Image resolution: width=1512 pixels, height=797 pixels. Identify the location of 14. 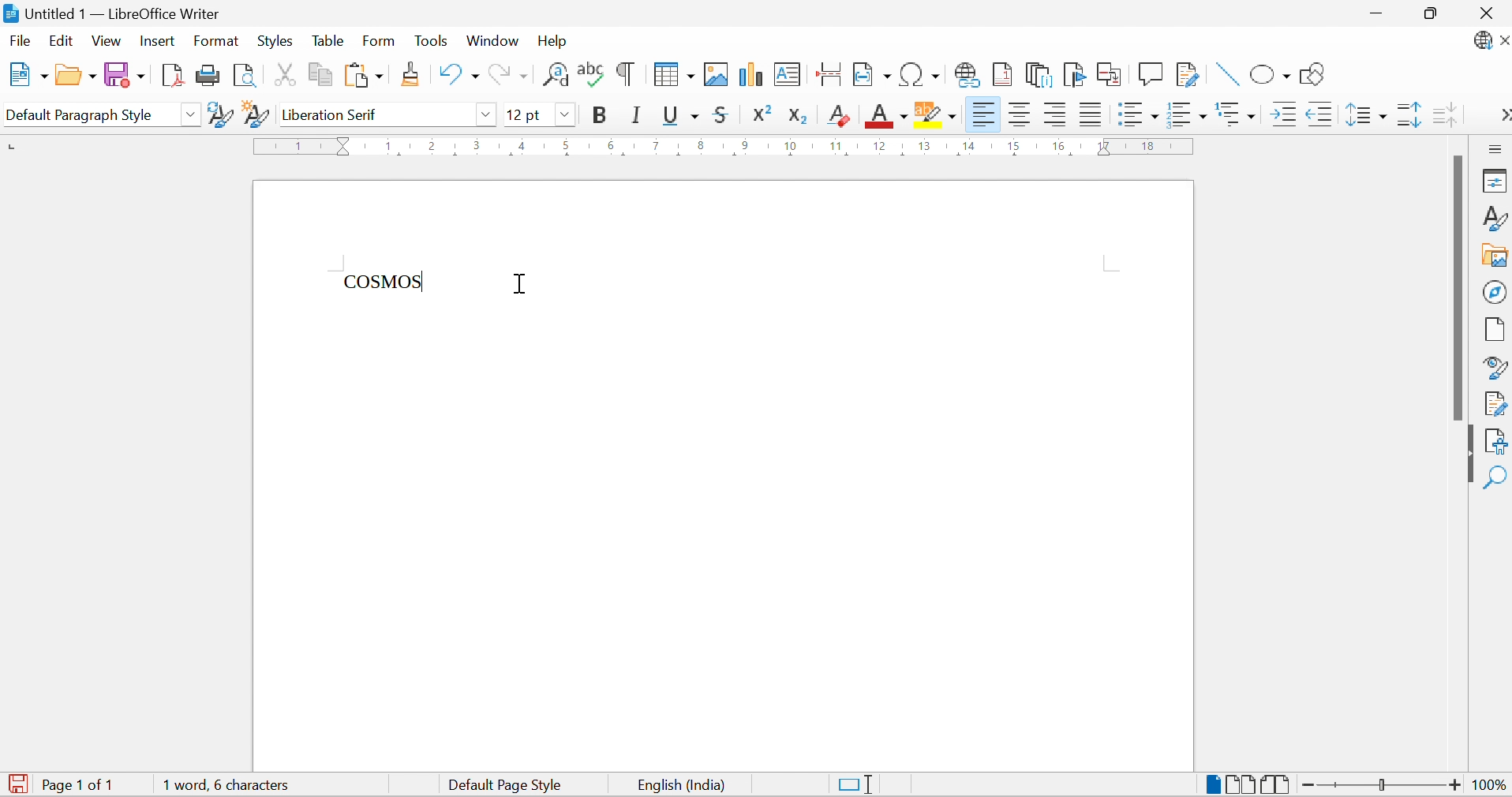
(968, 148).